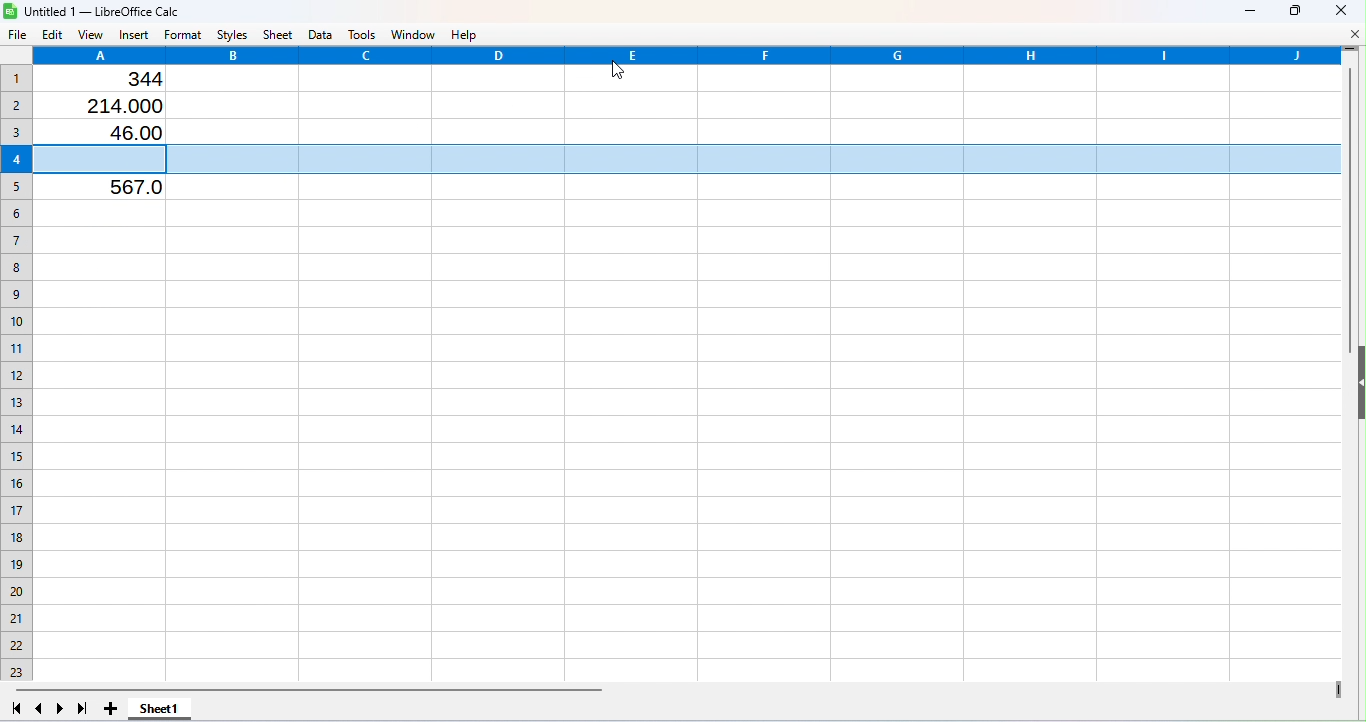 The width and height of the screenshot is (1366, 722). Describe the element at coordinates (688, 55) in the screenshot. I see `Columns` at that location.